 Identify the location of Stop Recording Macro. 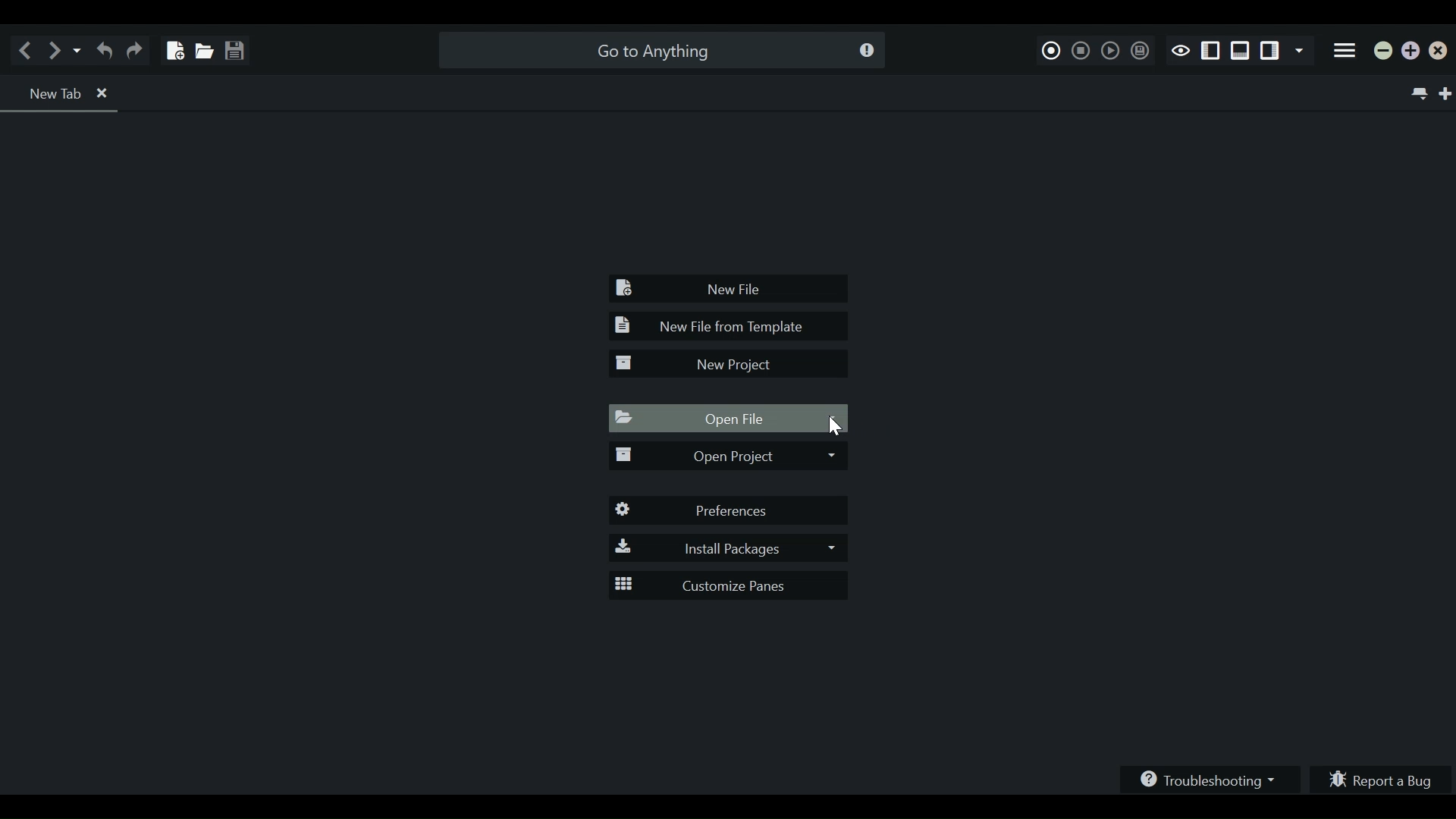
(1081, 49).